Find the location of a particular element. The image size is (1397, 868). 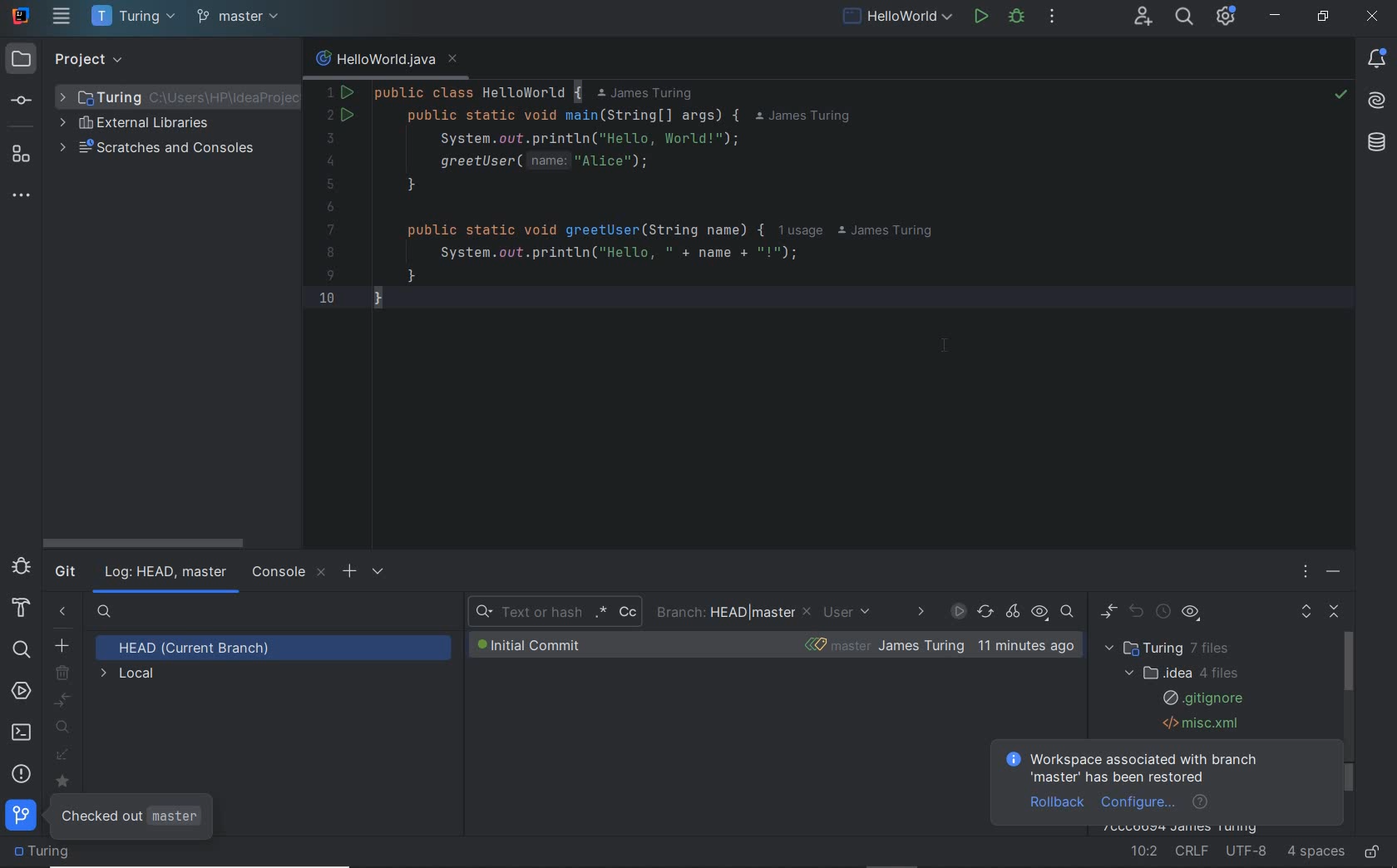

external libraries is located at coordinates (143, 124).